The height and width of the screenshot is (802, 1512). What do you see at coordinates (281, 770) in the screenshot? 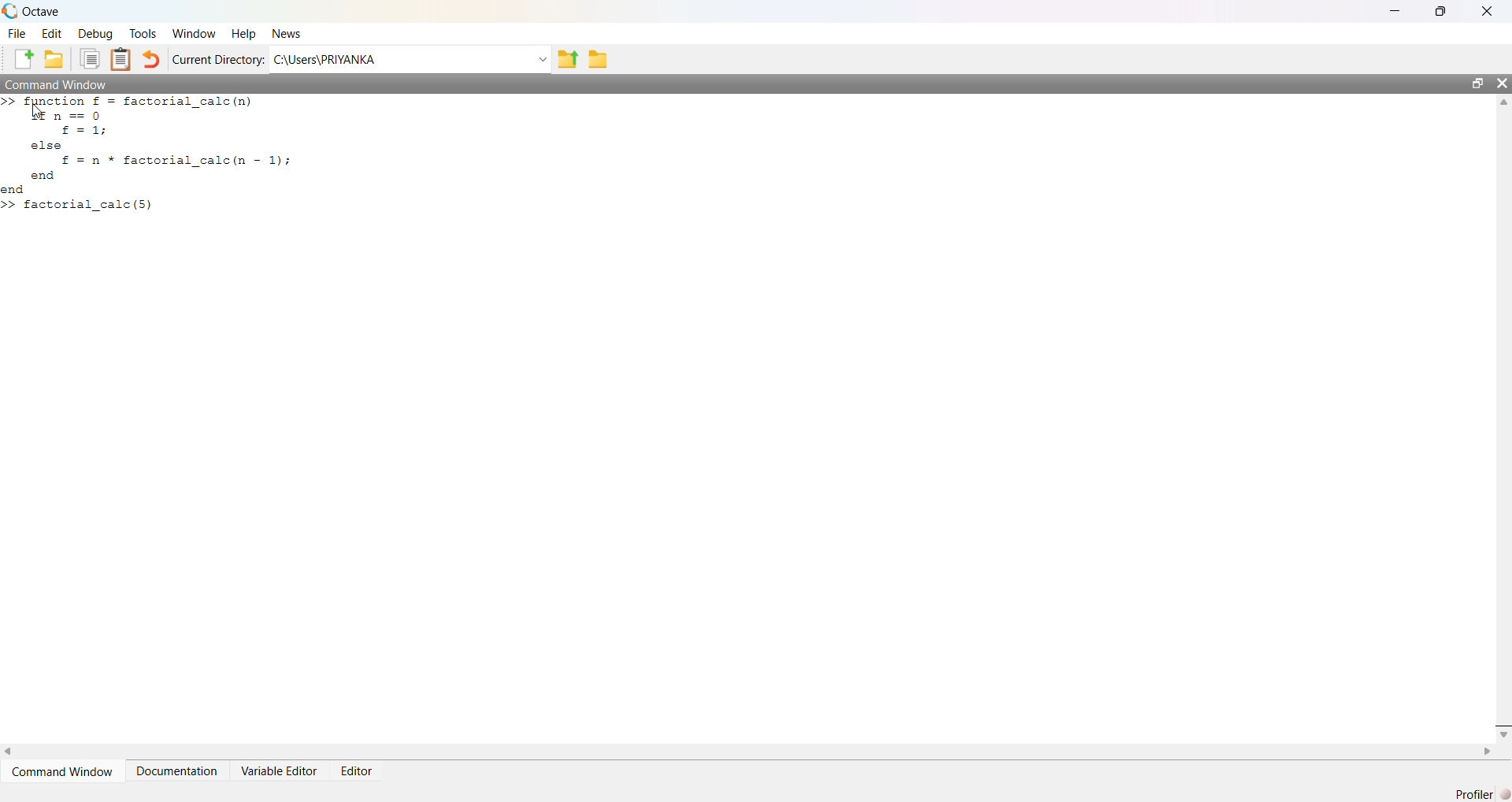
I see `Variable Editor` at bounding box center [281, 770].